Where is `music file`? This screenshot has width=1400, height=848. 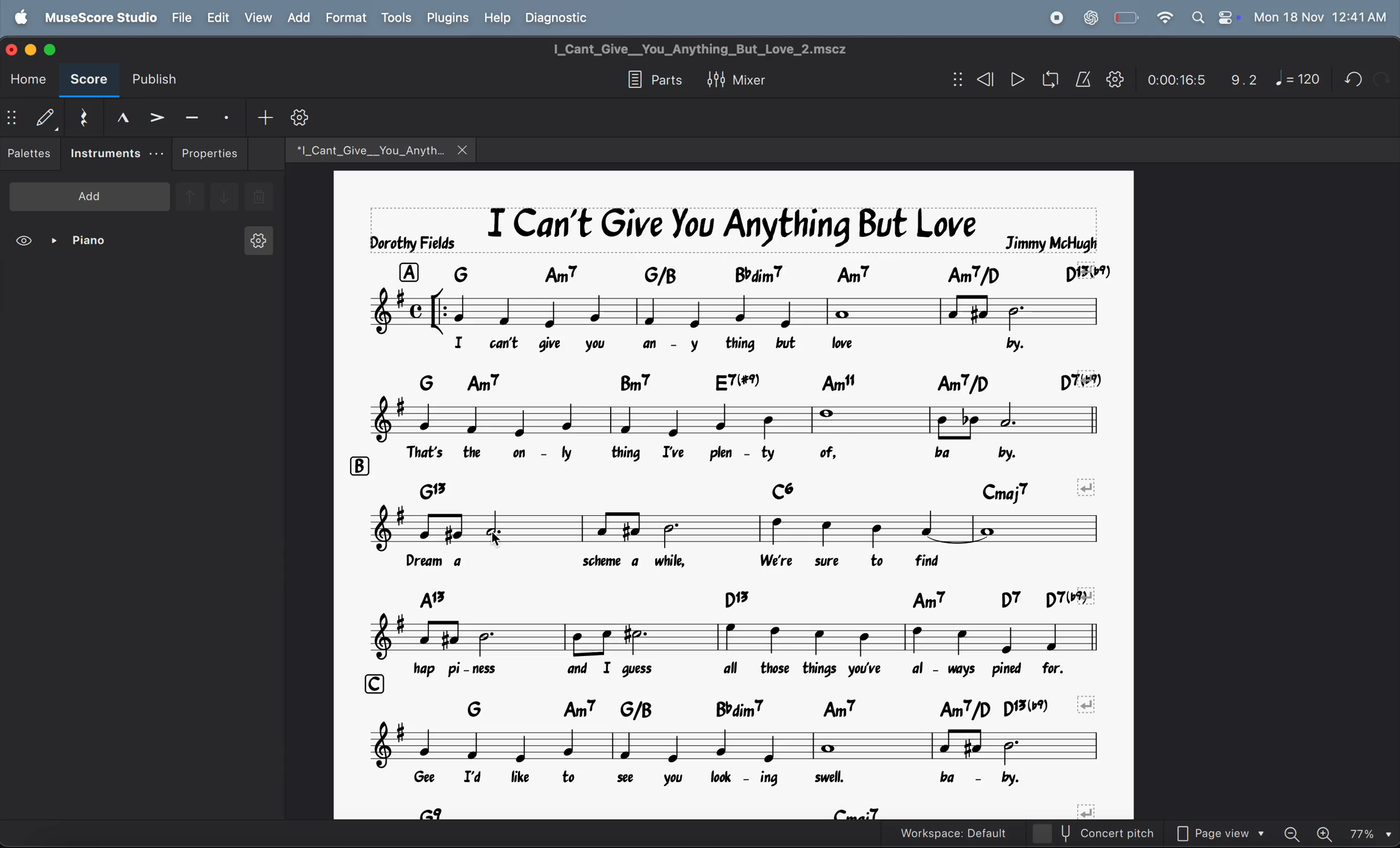
music file is located at coordinates (369, 149).